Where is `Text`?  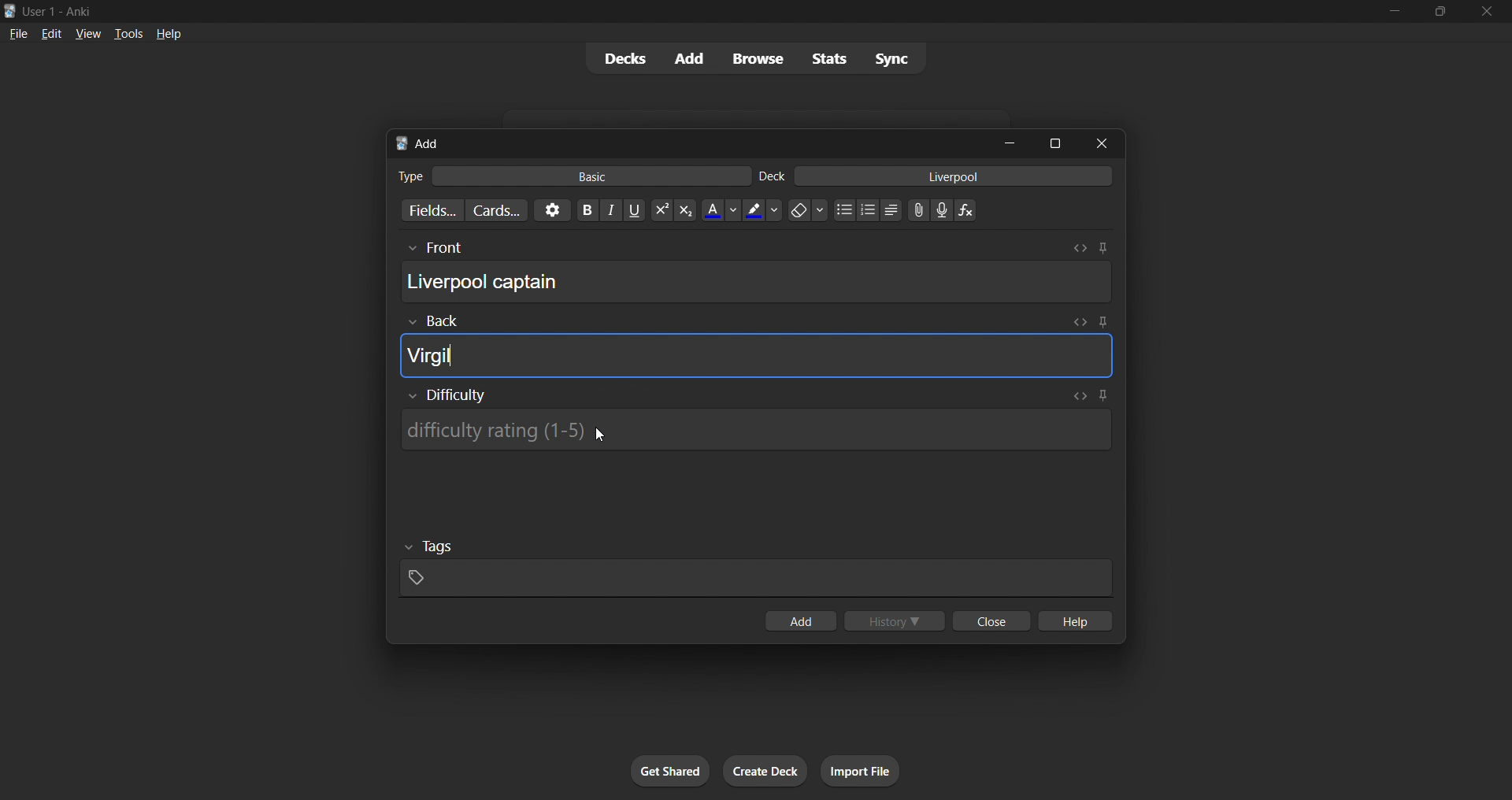
Text is located at coordinates (60, 13).